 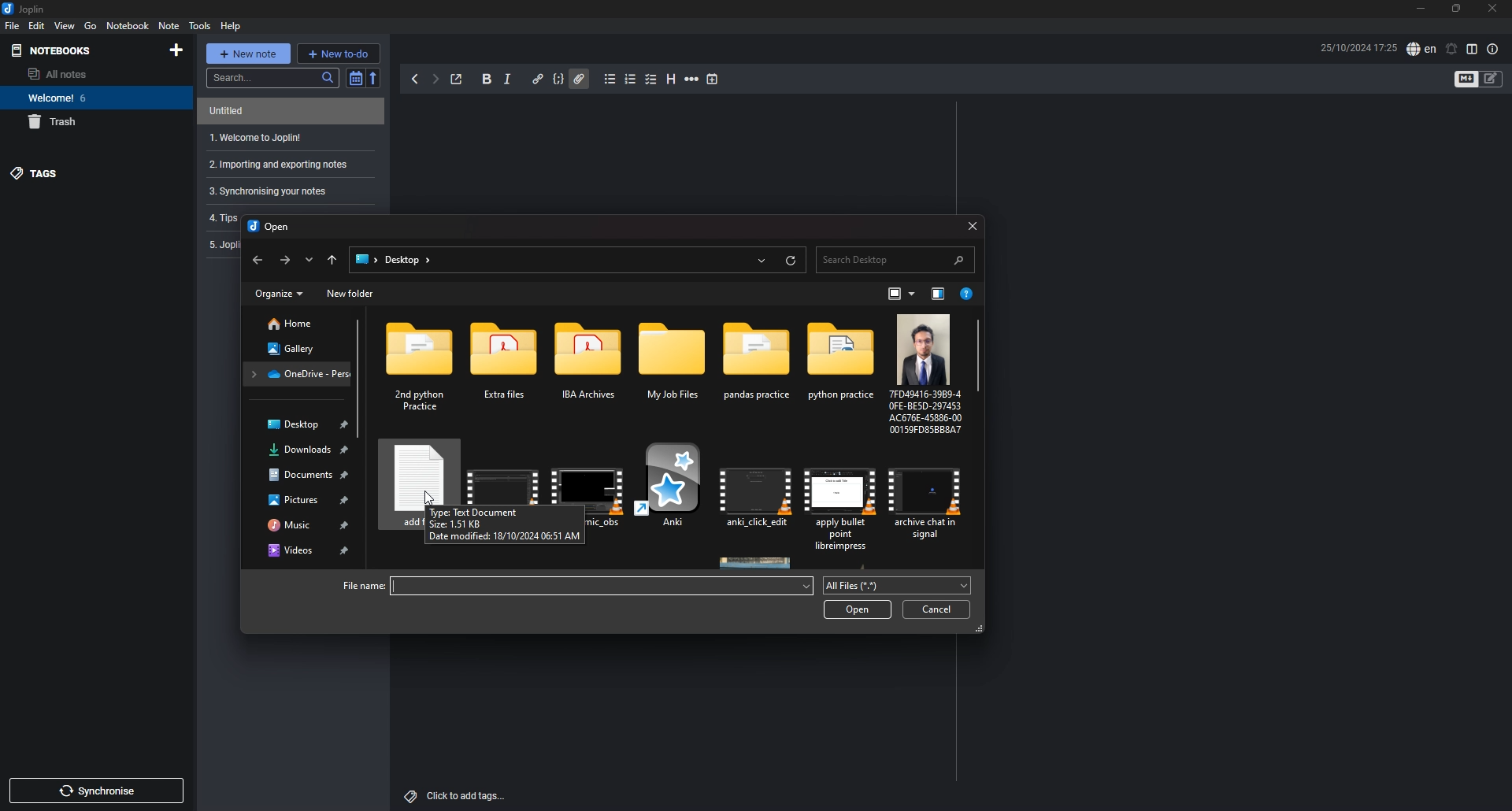 I want to click on folder, so click(x=839, y=369).